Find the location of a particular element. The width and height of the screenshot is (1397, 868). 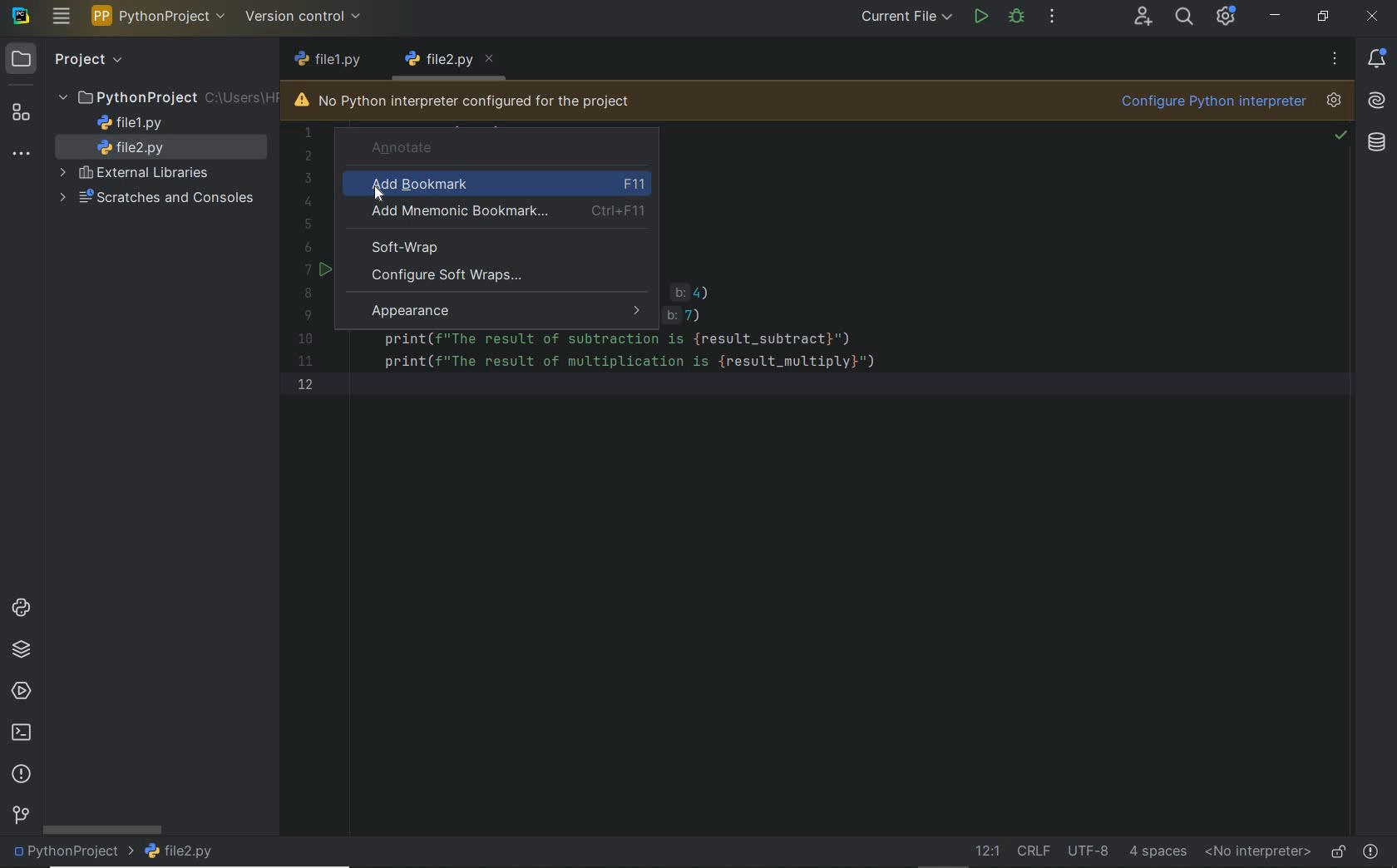

python packages is located at coordinates (23, 651).